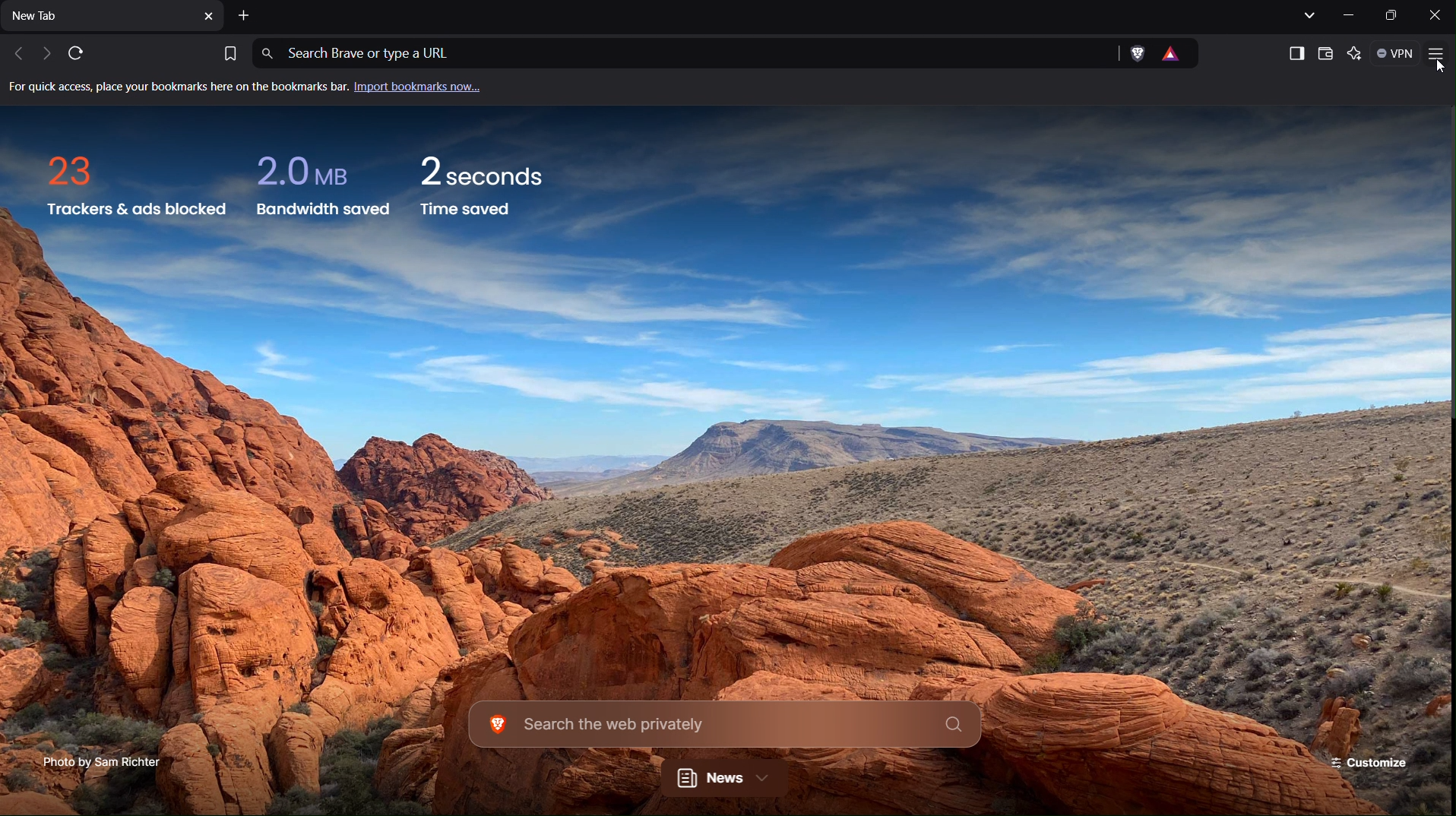 This screenshot has width=1456, height=816. What do you see at coordinates (1369, 760) in the screenshot?
I see `Customize` at bounding box center [1369, 760].